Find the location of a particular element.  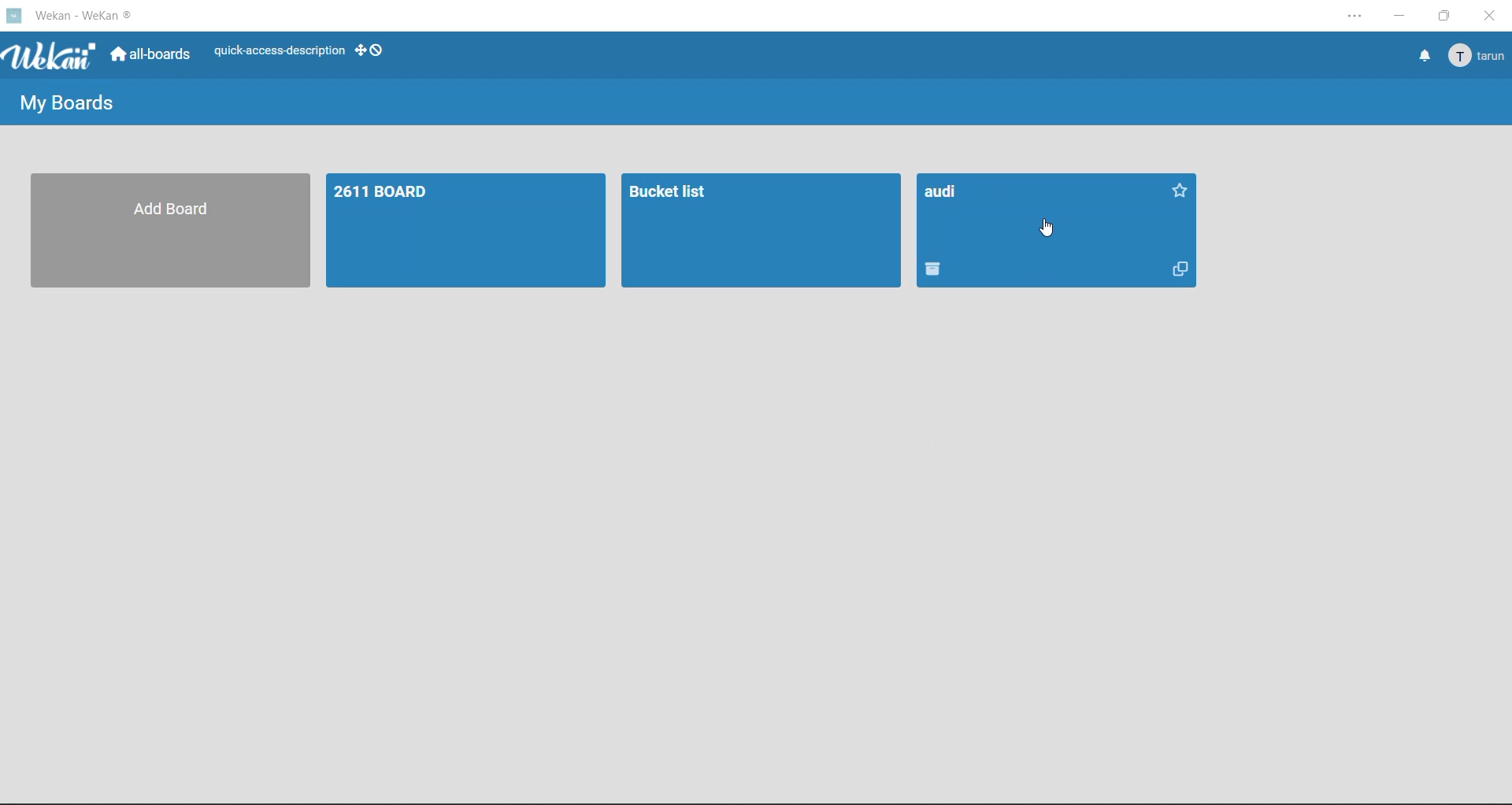

My Boards is located at coordinates (63, 101).